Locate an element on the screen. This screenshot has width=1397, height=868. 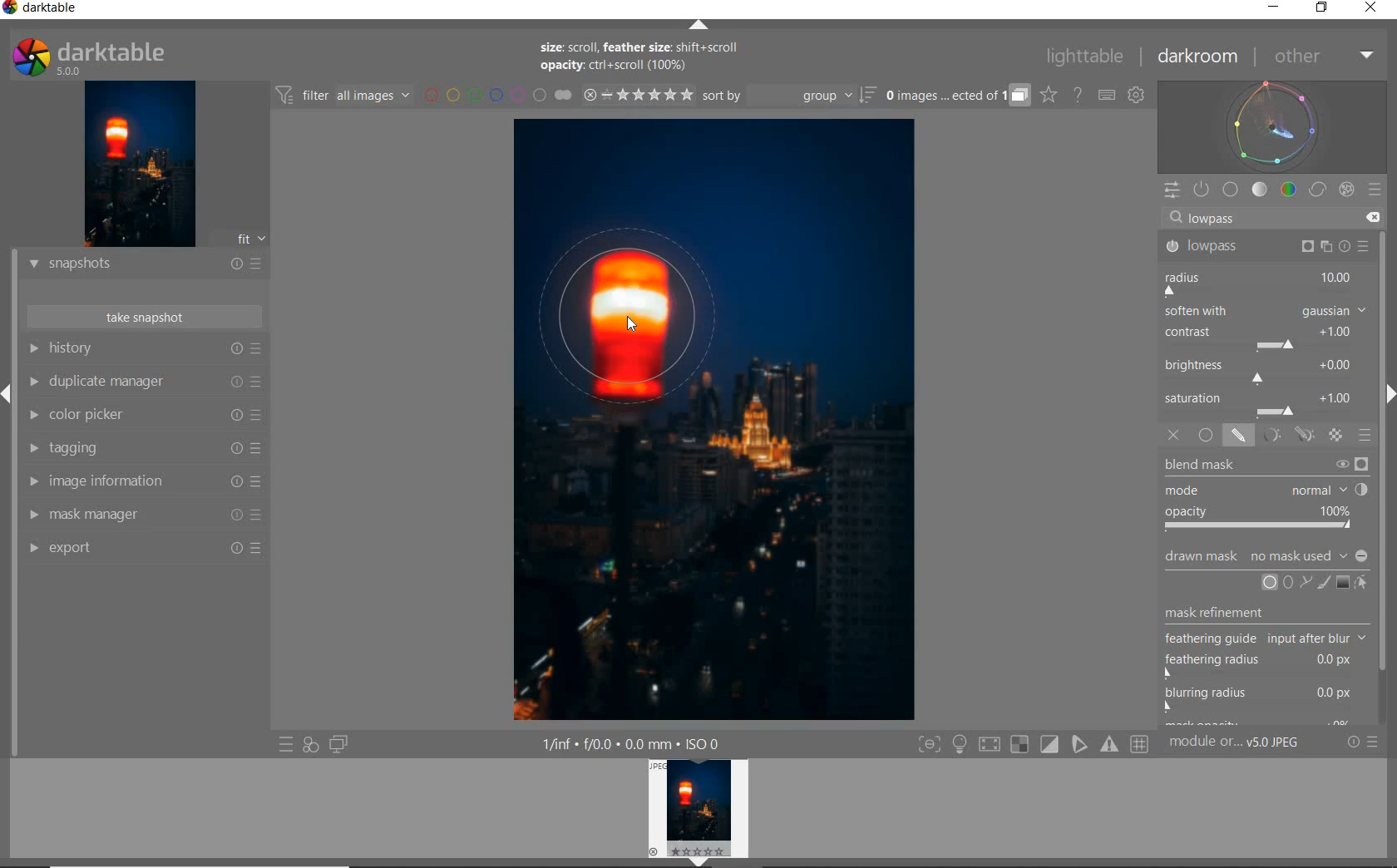
SHOW ONLY ACTIVE MODULES is located at coordinates (1202, 189).